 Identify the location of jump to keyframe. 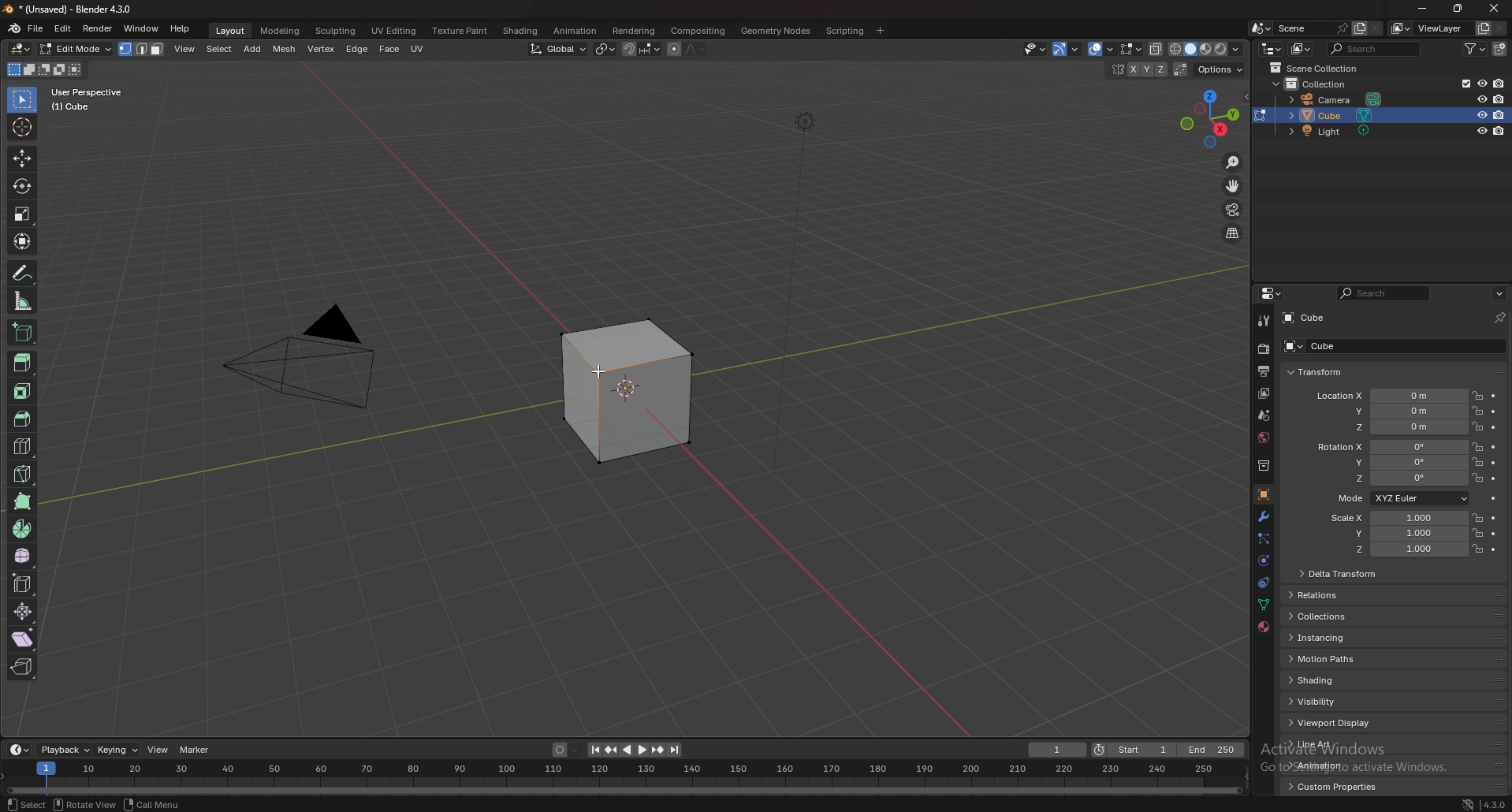
(657, 749).